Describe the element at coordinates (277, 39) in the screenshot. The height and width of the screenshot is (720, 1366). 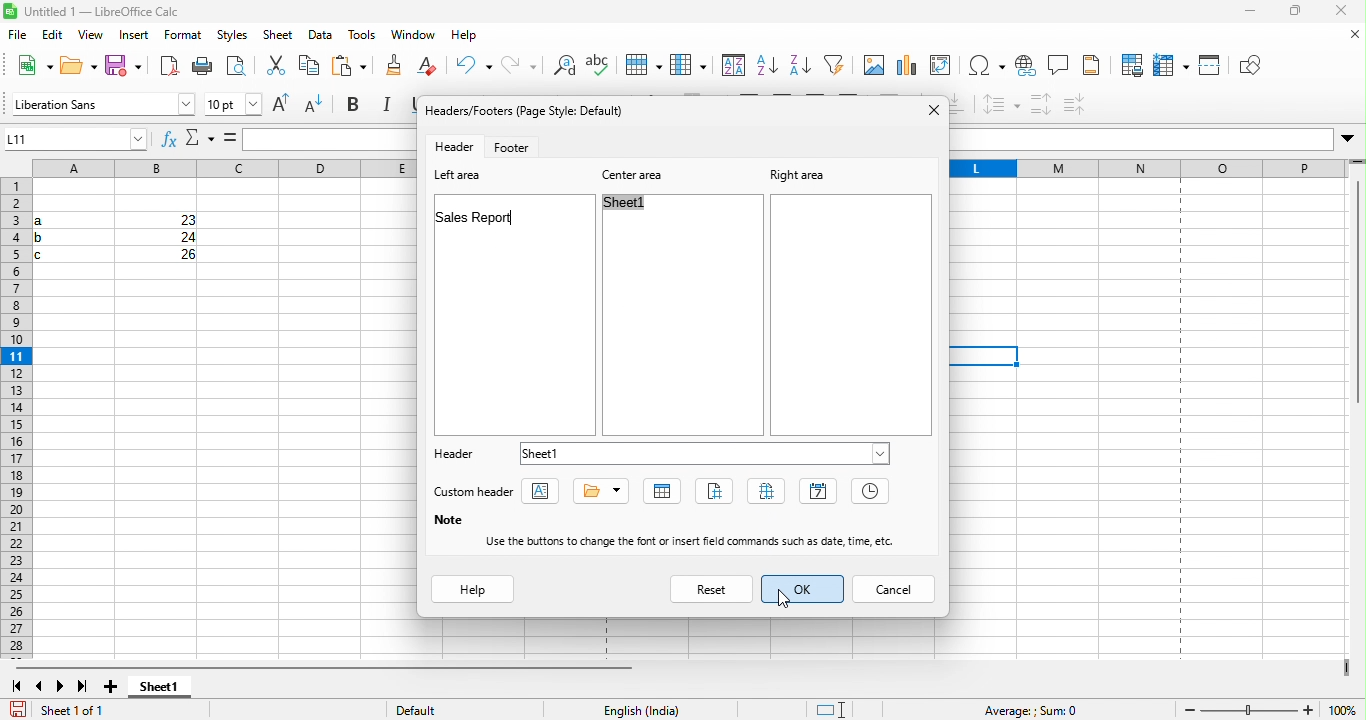
I see `sheet` at that location.